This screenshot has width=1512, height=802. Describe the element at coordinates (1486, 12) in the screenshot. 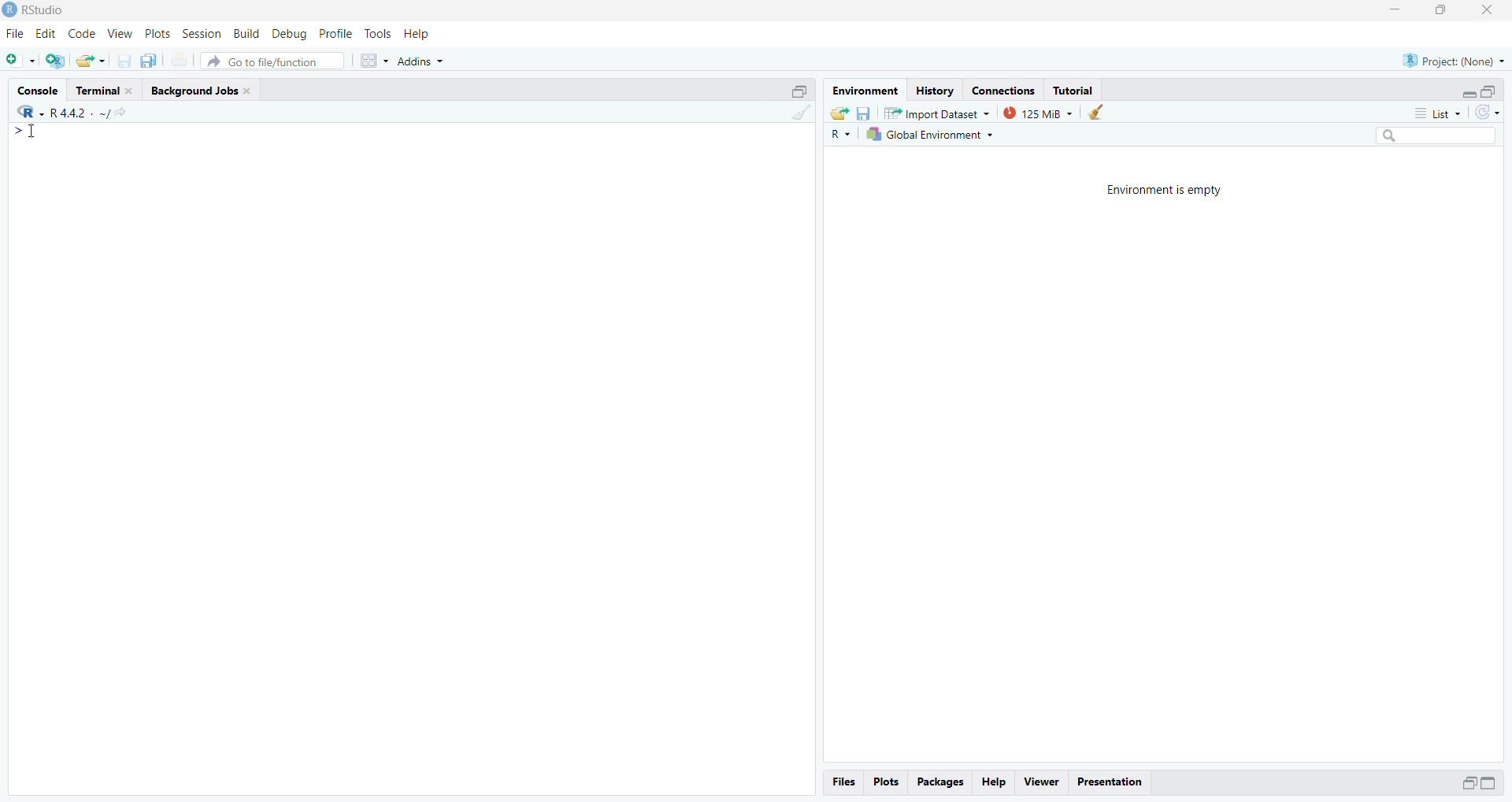

I see `close` at that location.